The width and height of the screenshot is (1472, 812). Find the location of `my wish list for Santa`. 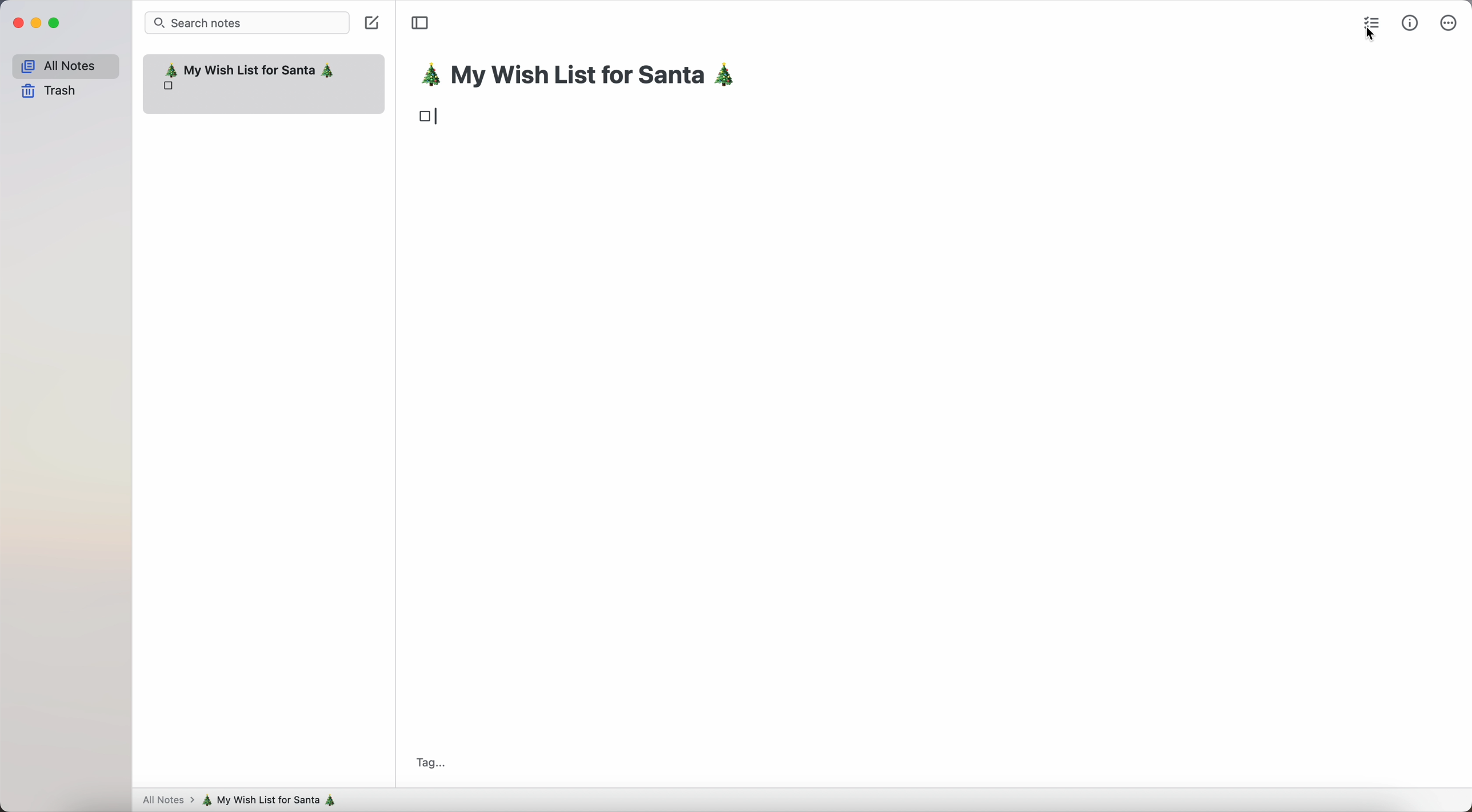

my wish list for Santa is located at coordinates (585, 77).